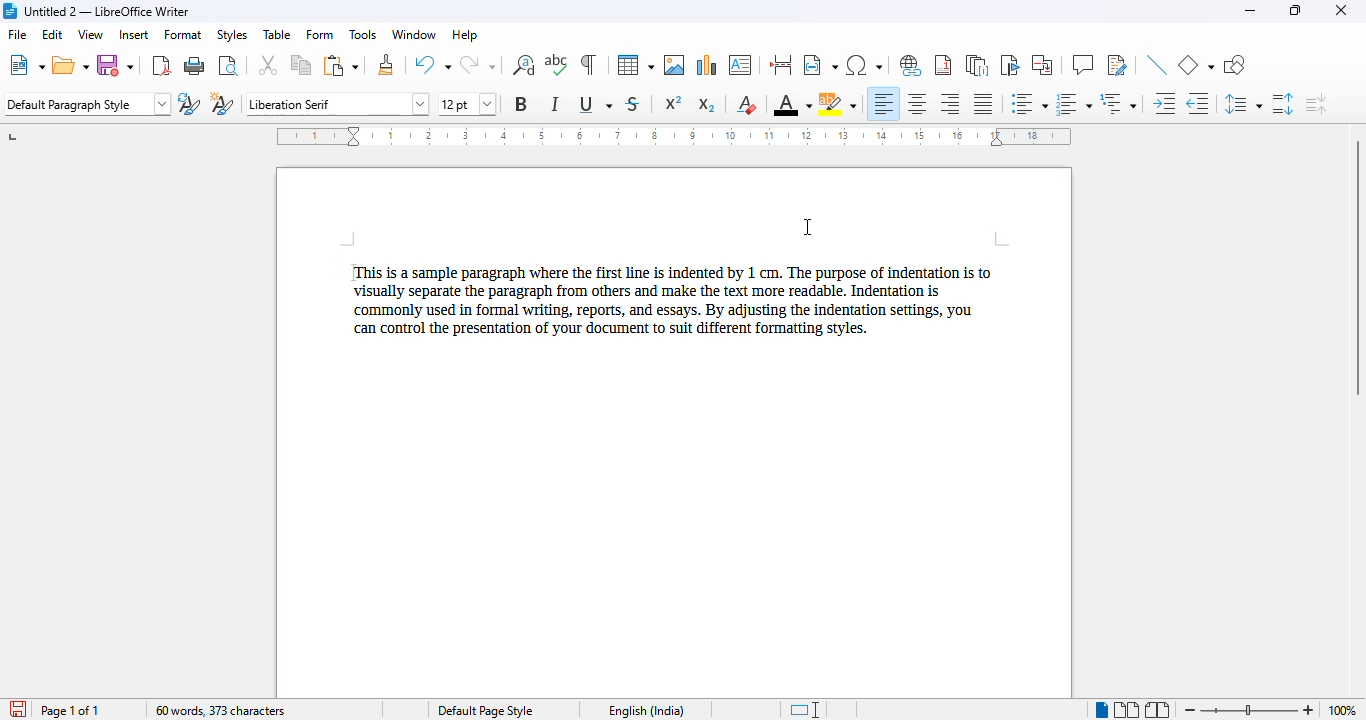 The height and width of the screenshot is (720, 1366). What do you see at coordinates (1030, 103) in the screenshot?
I see `toggle unordered list` at bounding box center [1030, 103].